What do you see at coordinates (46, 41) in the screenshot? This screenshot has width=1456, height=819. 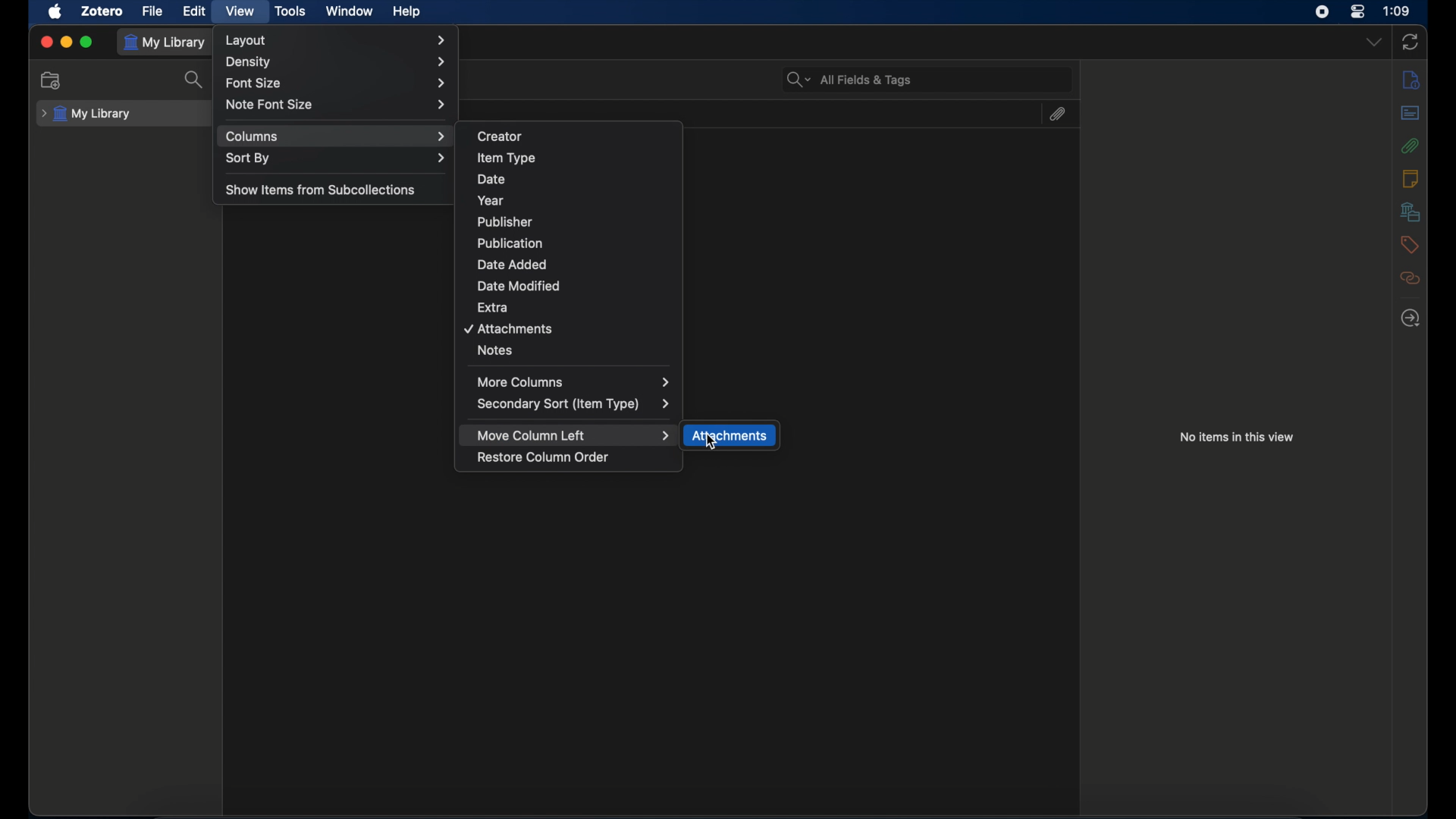 I see `close` at bounding box center [46, 41].